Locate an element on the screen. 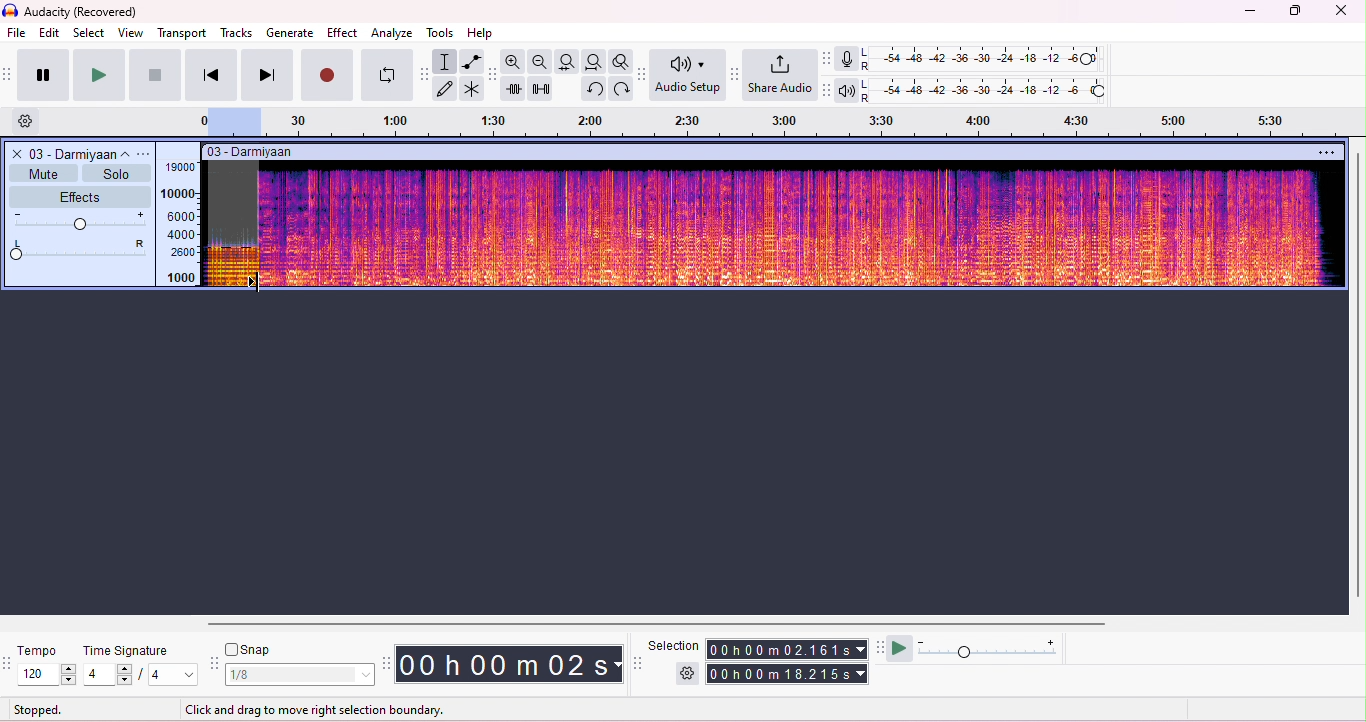 This screenshot has height=722, width=1366. toggle zoom is located at coordinates (620, 61).